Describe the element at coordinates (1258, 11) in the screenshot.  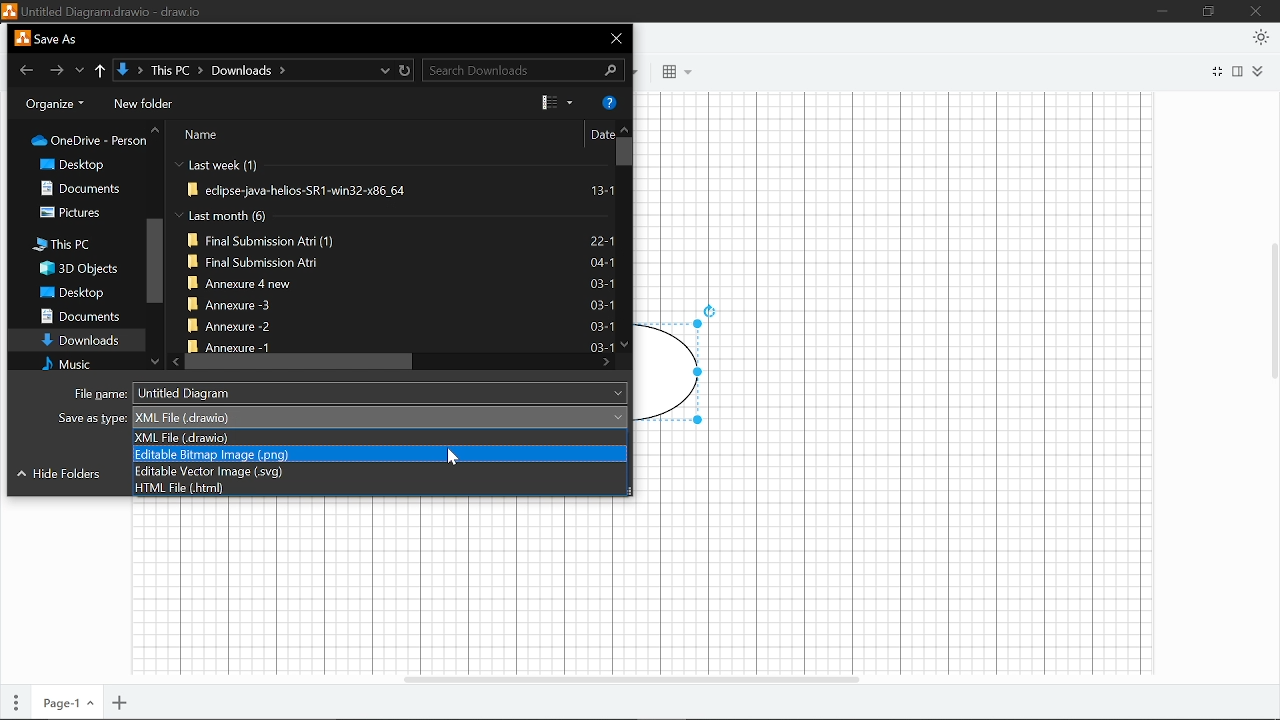
I see `close` at that location.